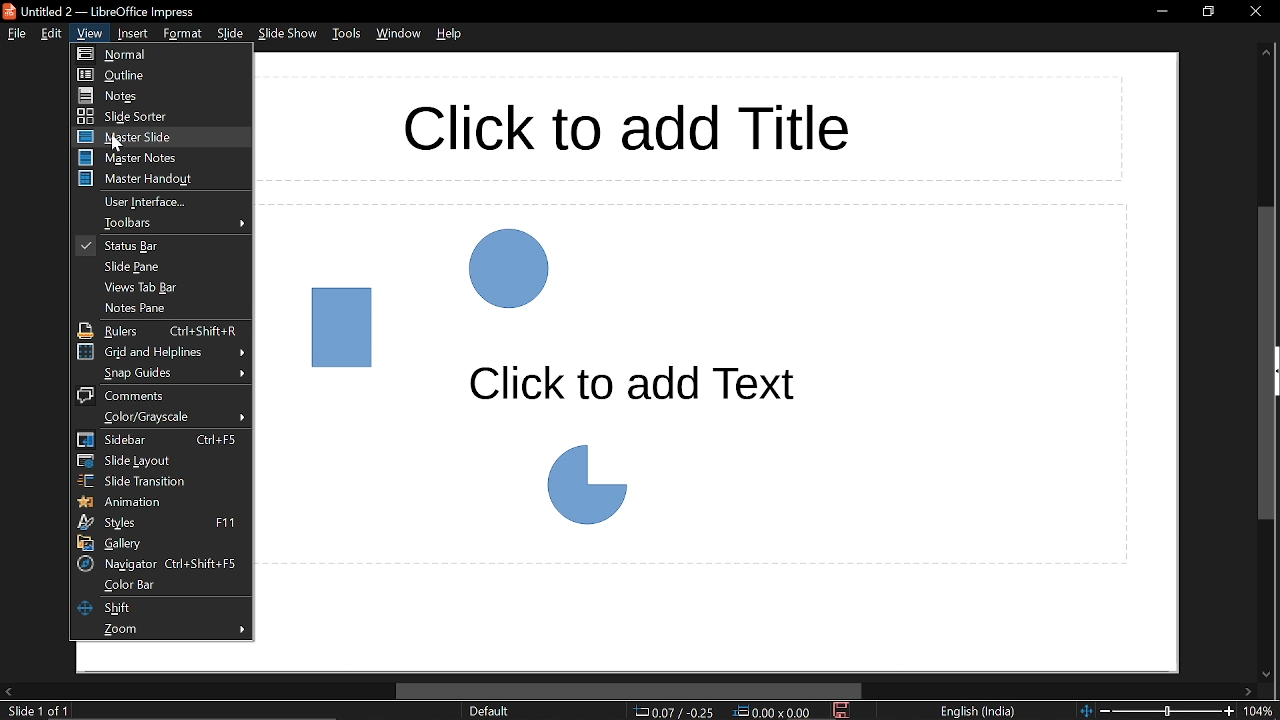 The width and height of the screenshot is (1280, 720). What do you see at coordinates (493, 712) in the screenshot?
I see `Current mode` at bounding box center [493, 712].